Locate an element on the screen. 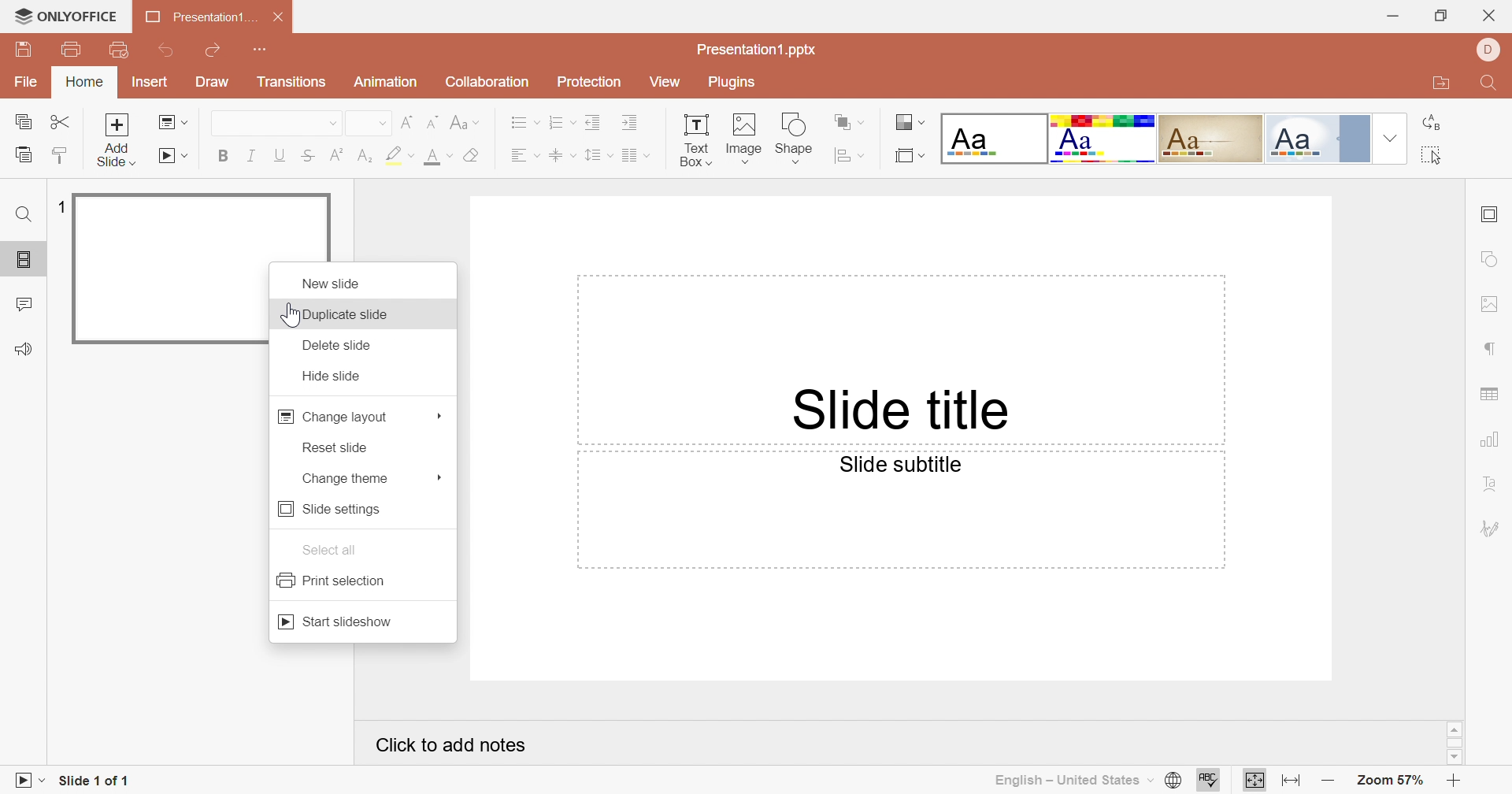 The height and width of the screenshot is (794, 1512). Animation is located at coordinates (386, 82).